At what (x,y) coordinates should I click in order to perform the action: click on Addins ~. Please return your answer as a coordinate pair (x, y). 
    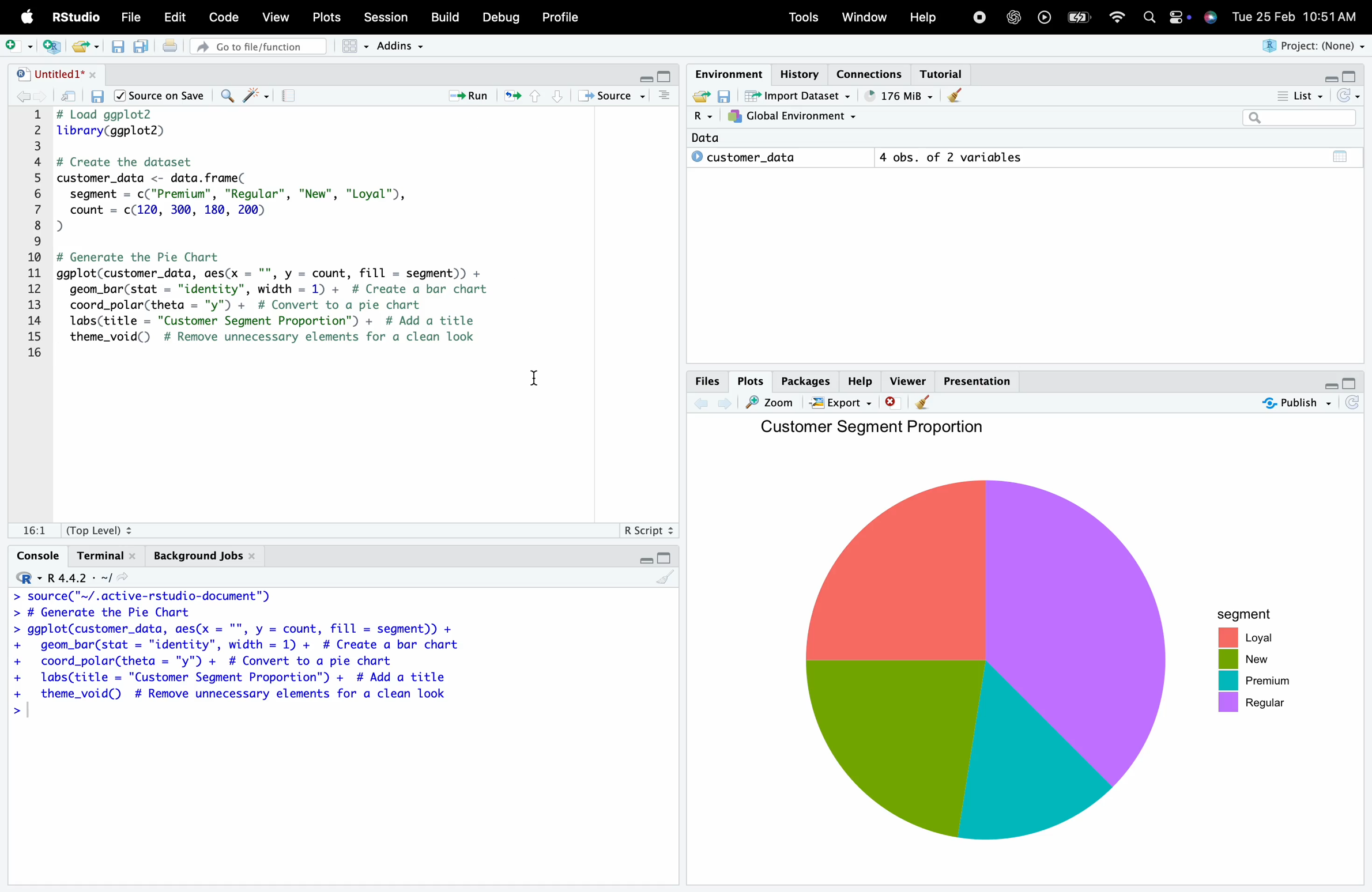
    Looking at the image, I should click on (404, 47).